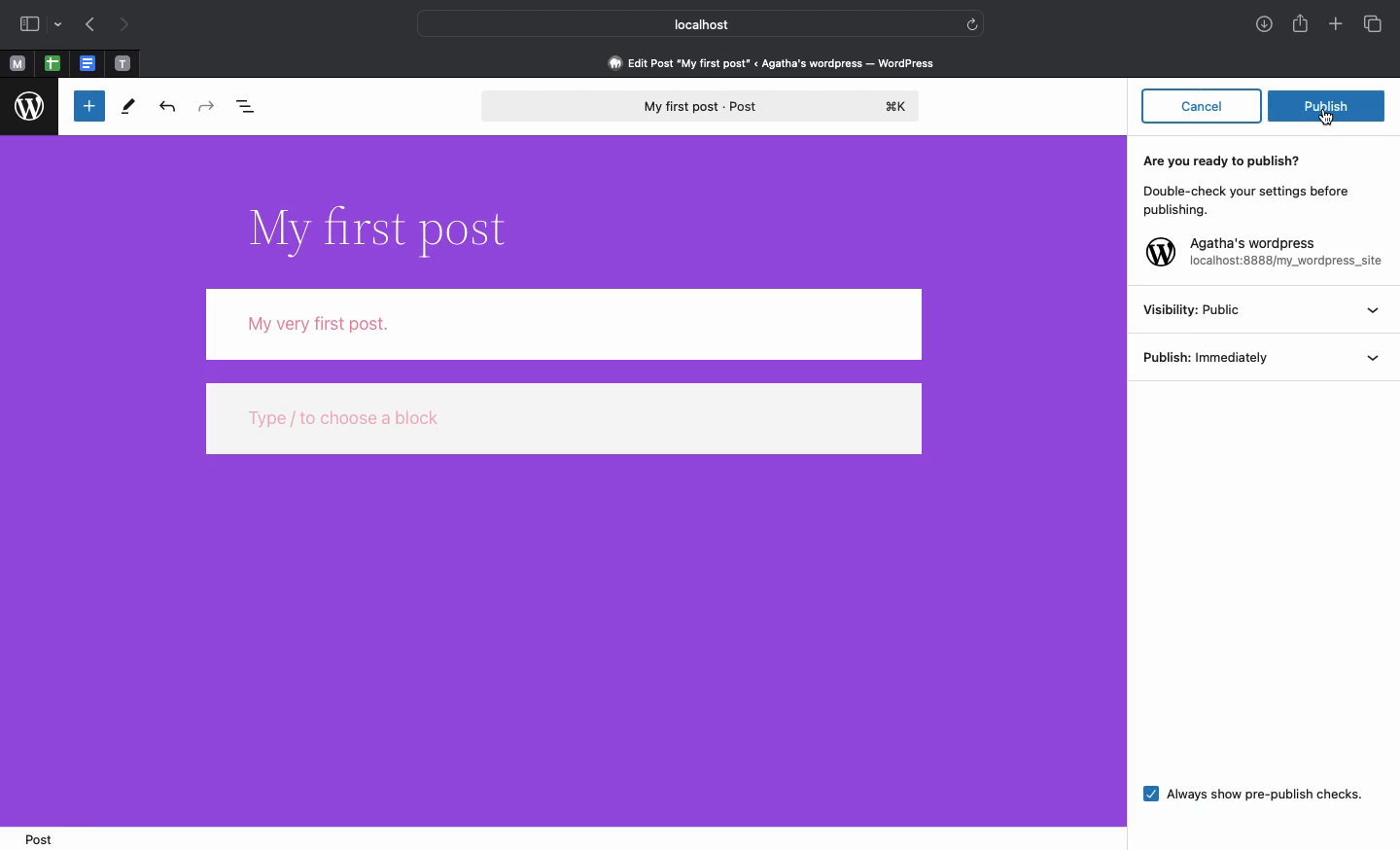 The image size is (1400, 850). What do you see at coordinates (60, 22) in the screenshot?
I see `drop-down` at bounding box center [60, 22].